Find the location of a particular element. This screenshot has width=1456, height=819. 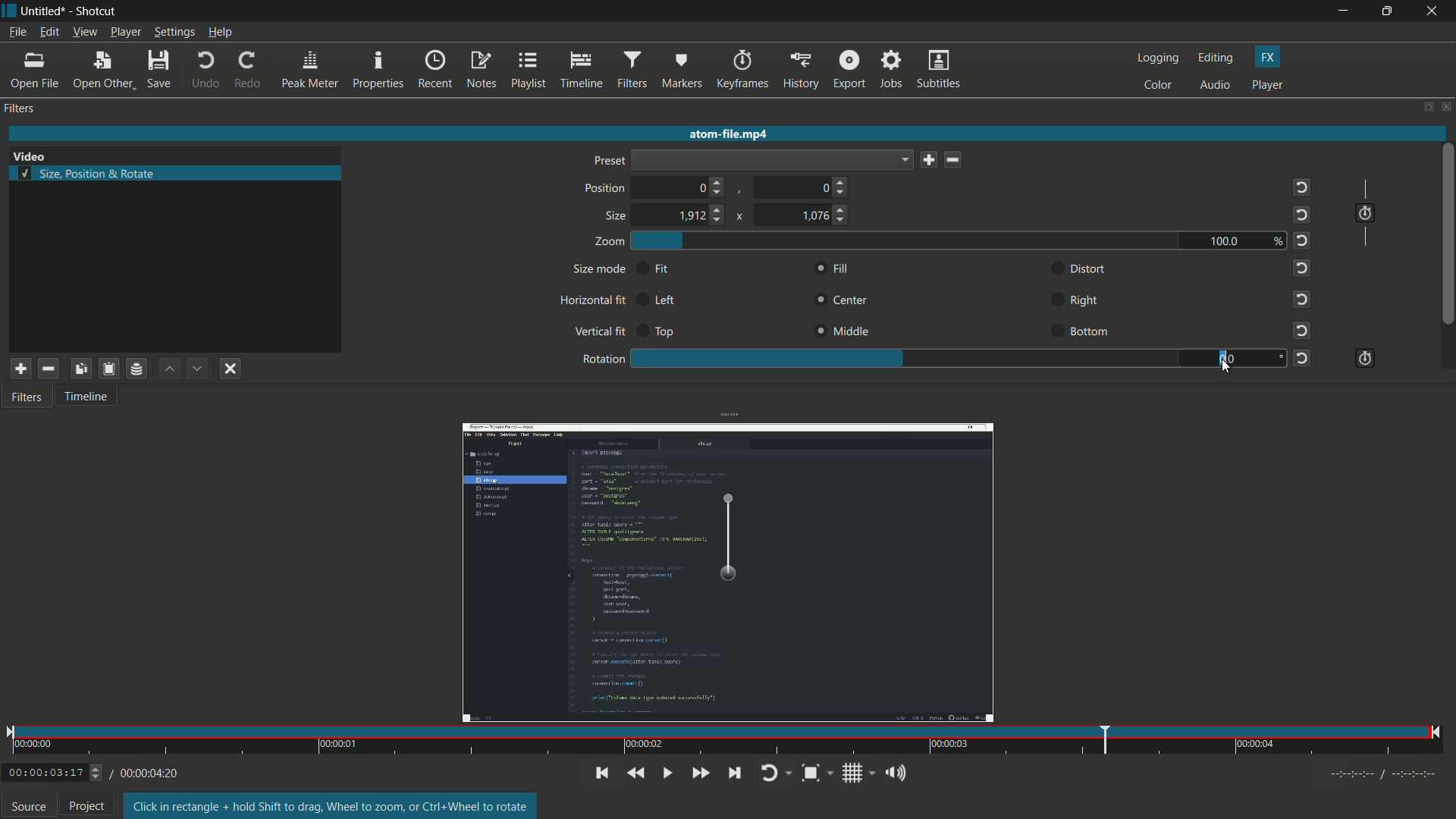

save is located at coordinates (929, 161).